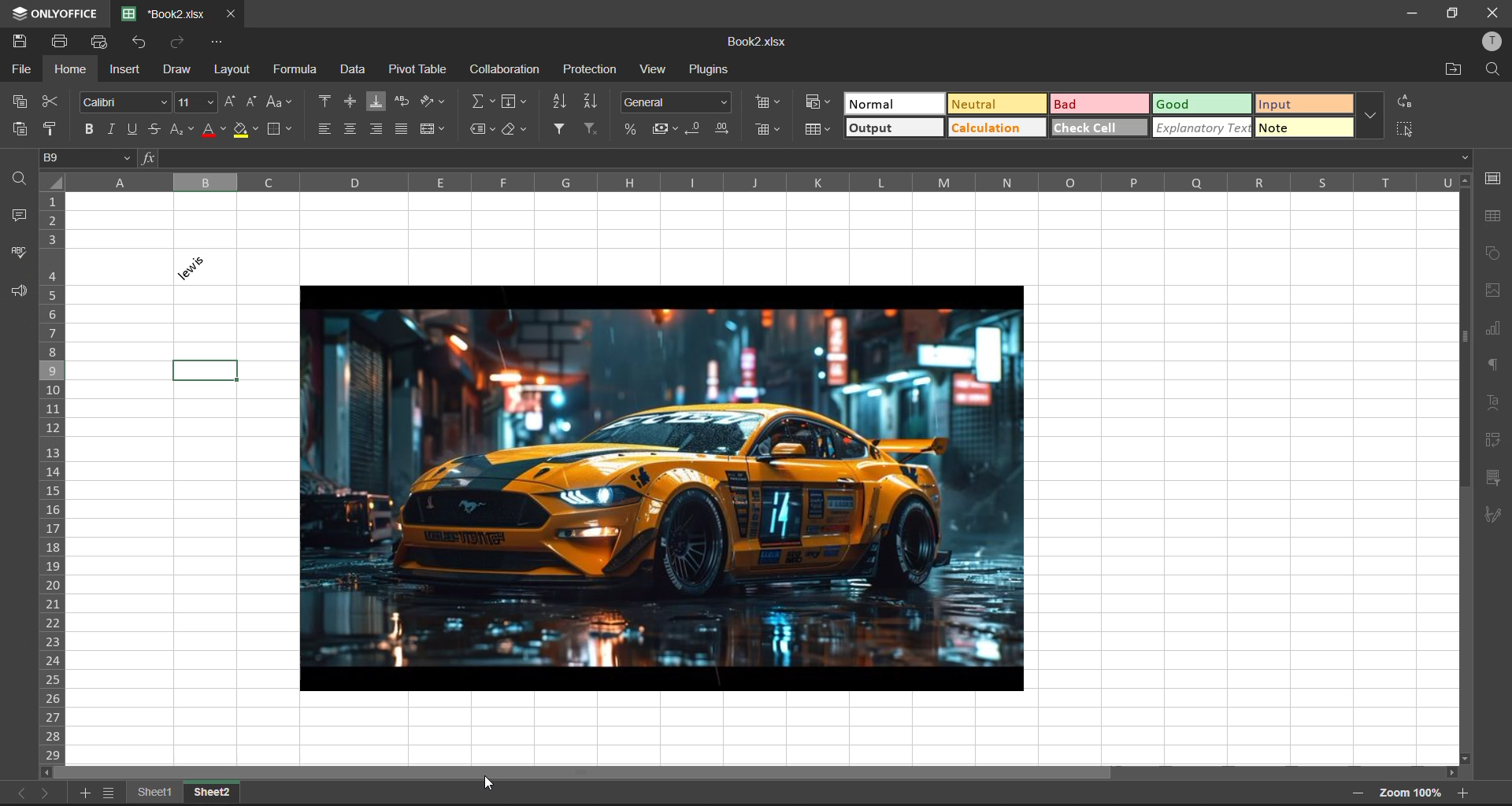  What do you see at coordinates (22, 252) in the screenshot?
I see `spellcheck` at bounding box center [22, 252].